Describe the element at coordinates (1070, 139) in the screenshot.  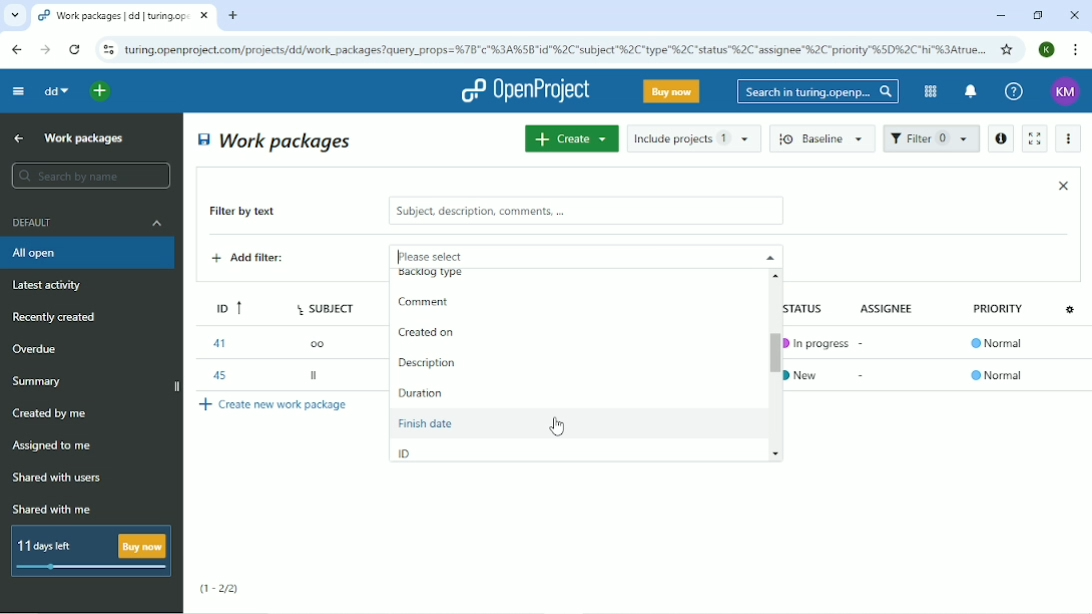
I see `More actions` at that location.